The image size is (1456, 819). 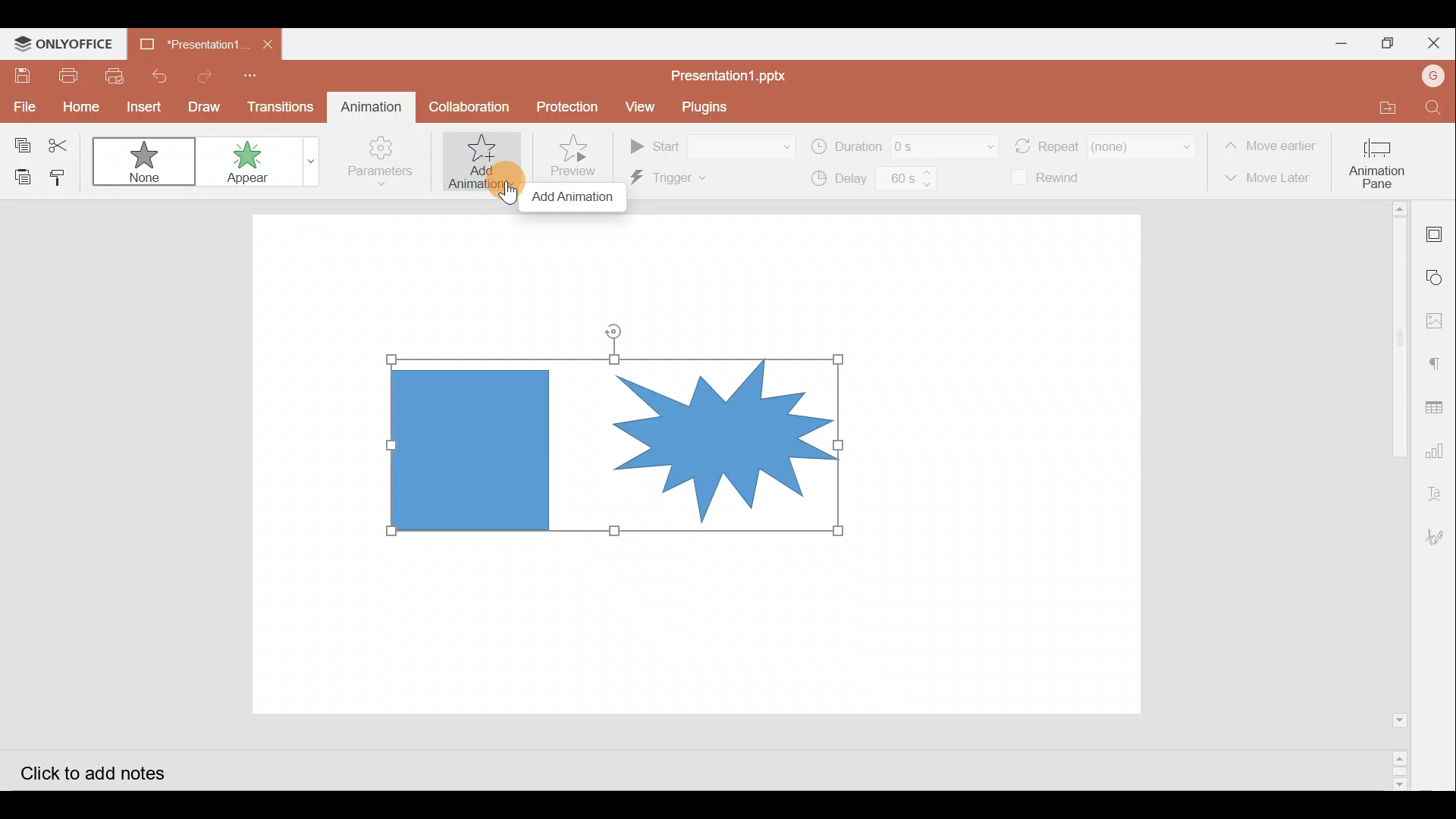 I want to click on Animation, so click(x=367, y=106).